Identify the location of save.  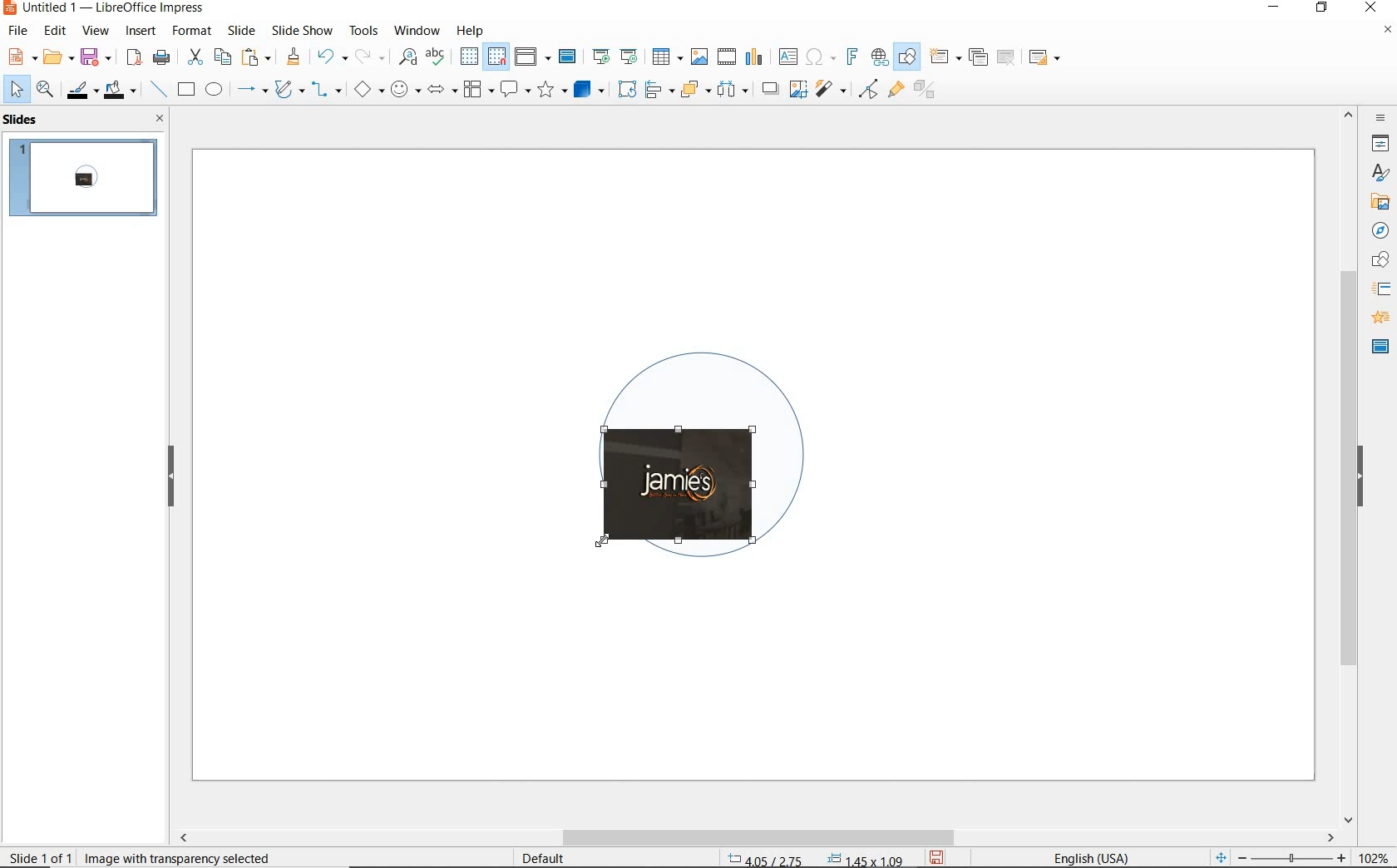
(96, 56).